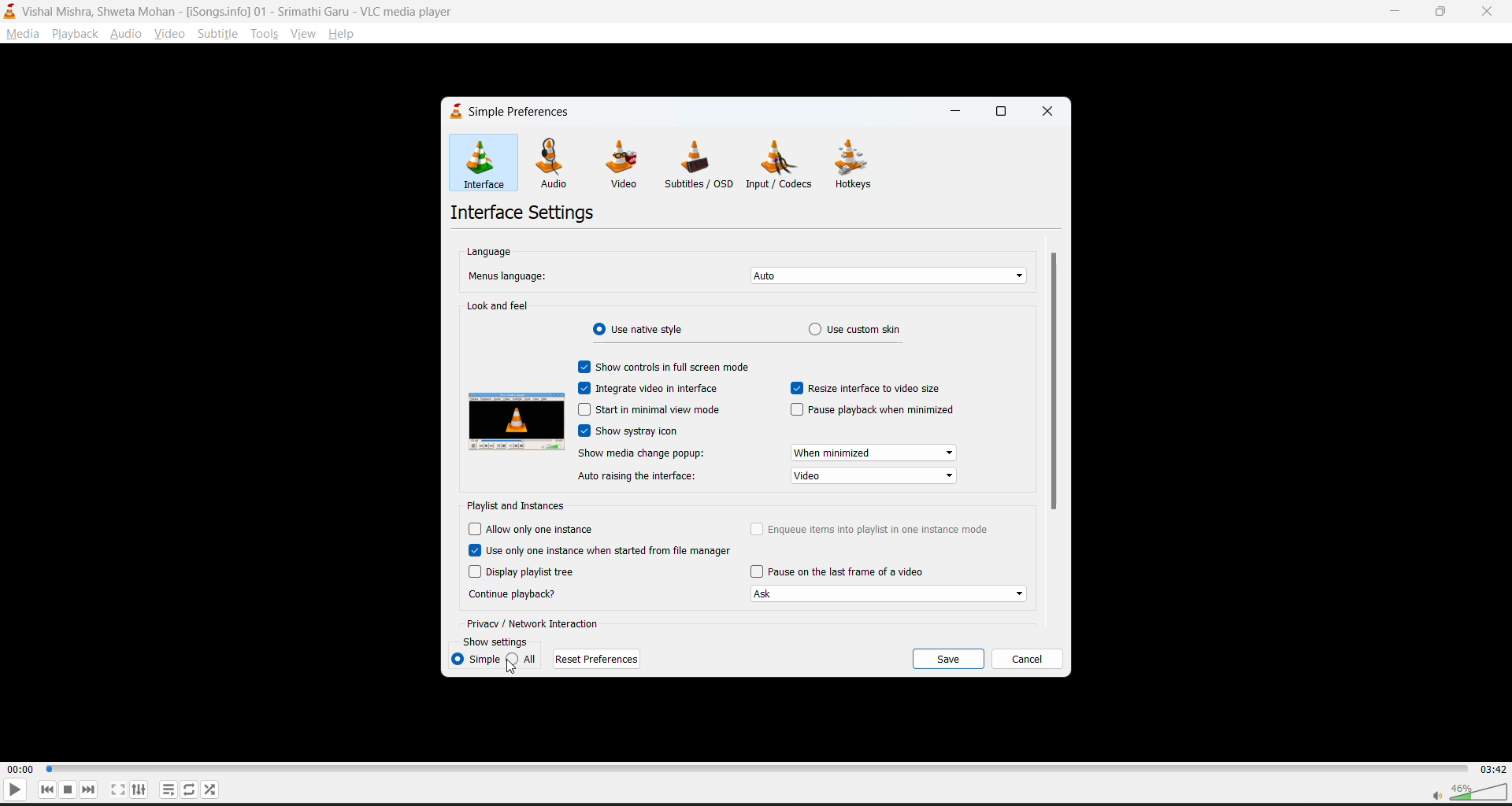  I want to click on cursor, so click(513, 671).